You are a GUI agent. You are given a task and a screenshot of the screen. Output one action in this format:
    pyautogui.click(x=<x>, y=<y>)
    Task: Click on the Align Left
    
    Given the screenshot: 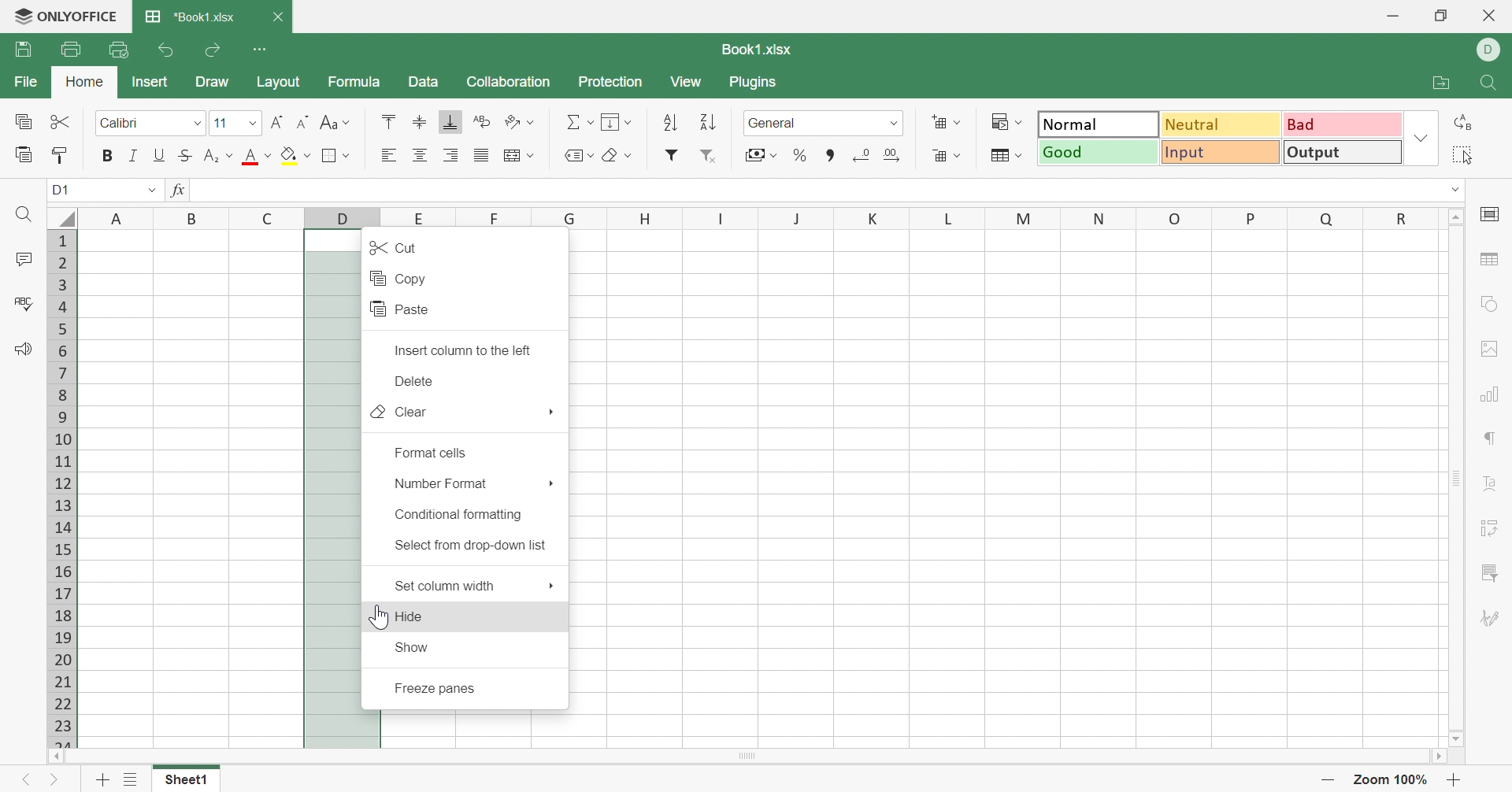 What is the action you would take?
    pyautogui.click(x=387, y=155)
    